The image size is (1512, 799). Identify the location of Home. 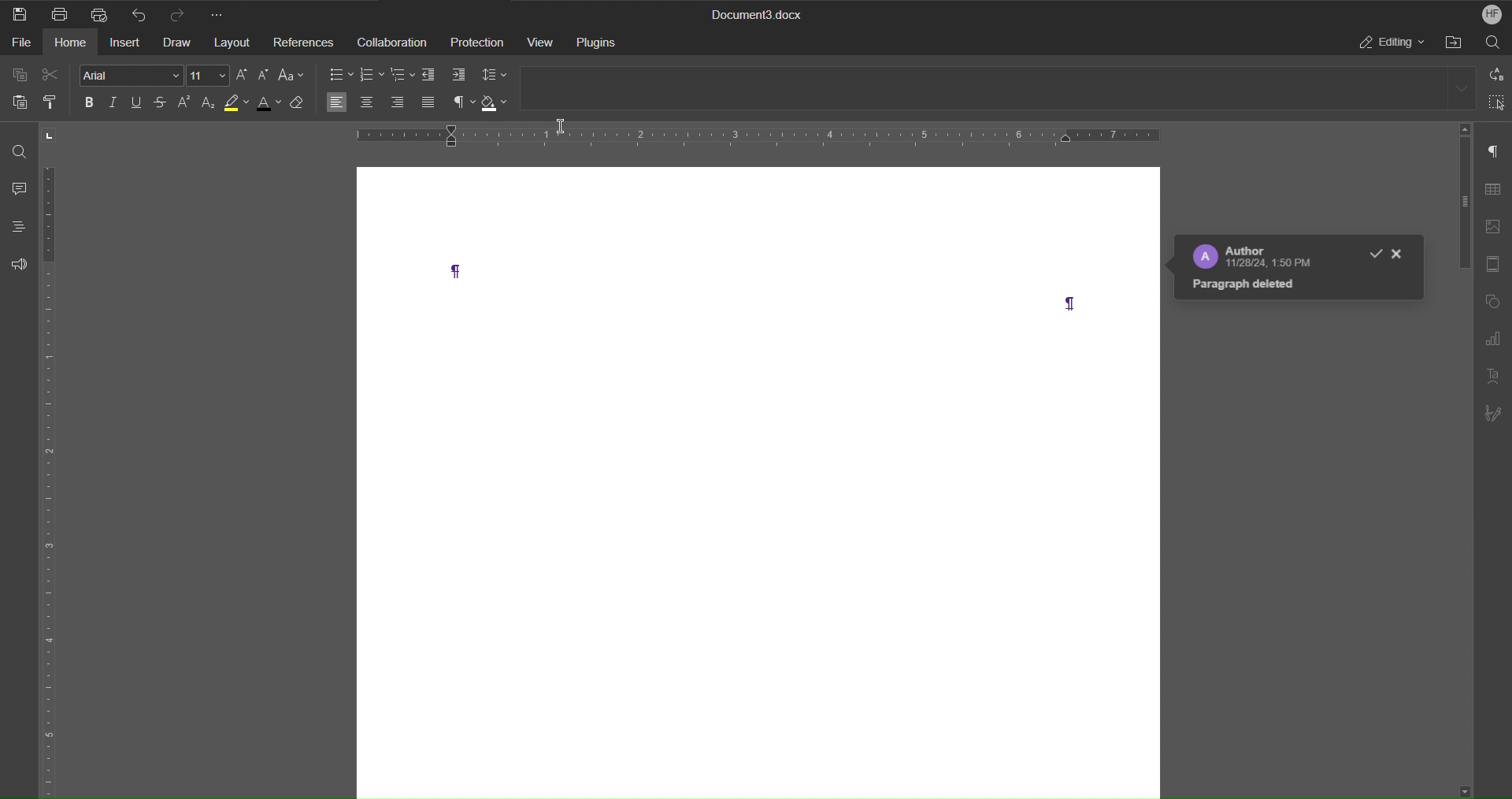
(74, 44).